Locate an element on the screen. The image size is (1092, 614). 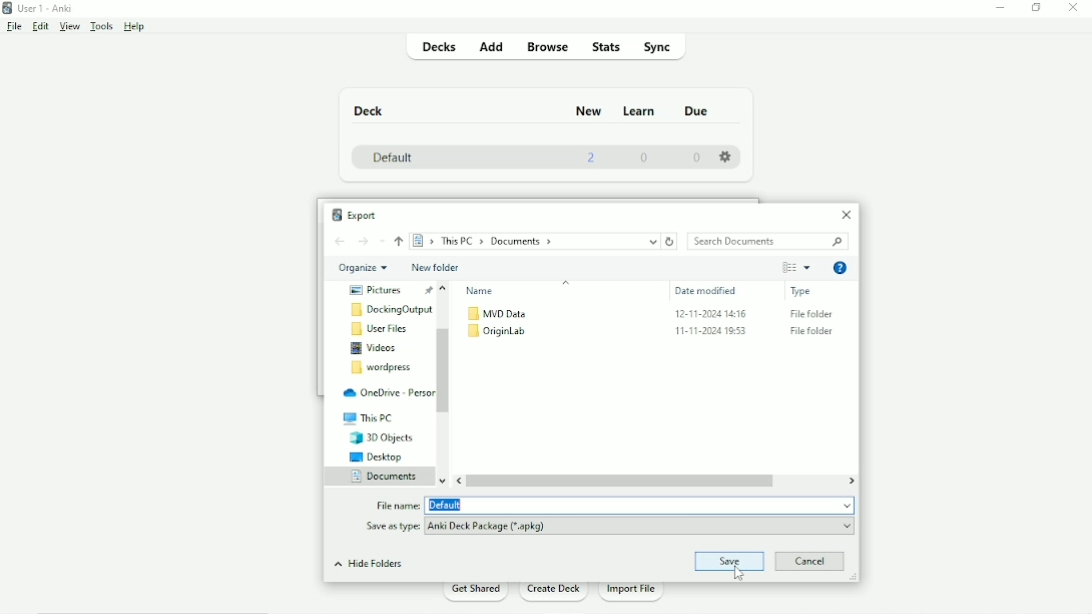
Back is located at coordinates (341, 243).